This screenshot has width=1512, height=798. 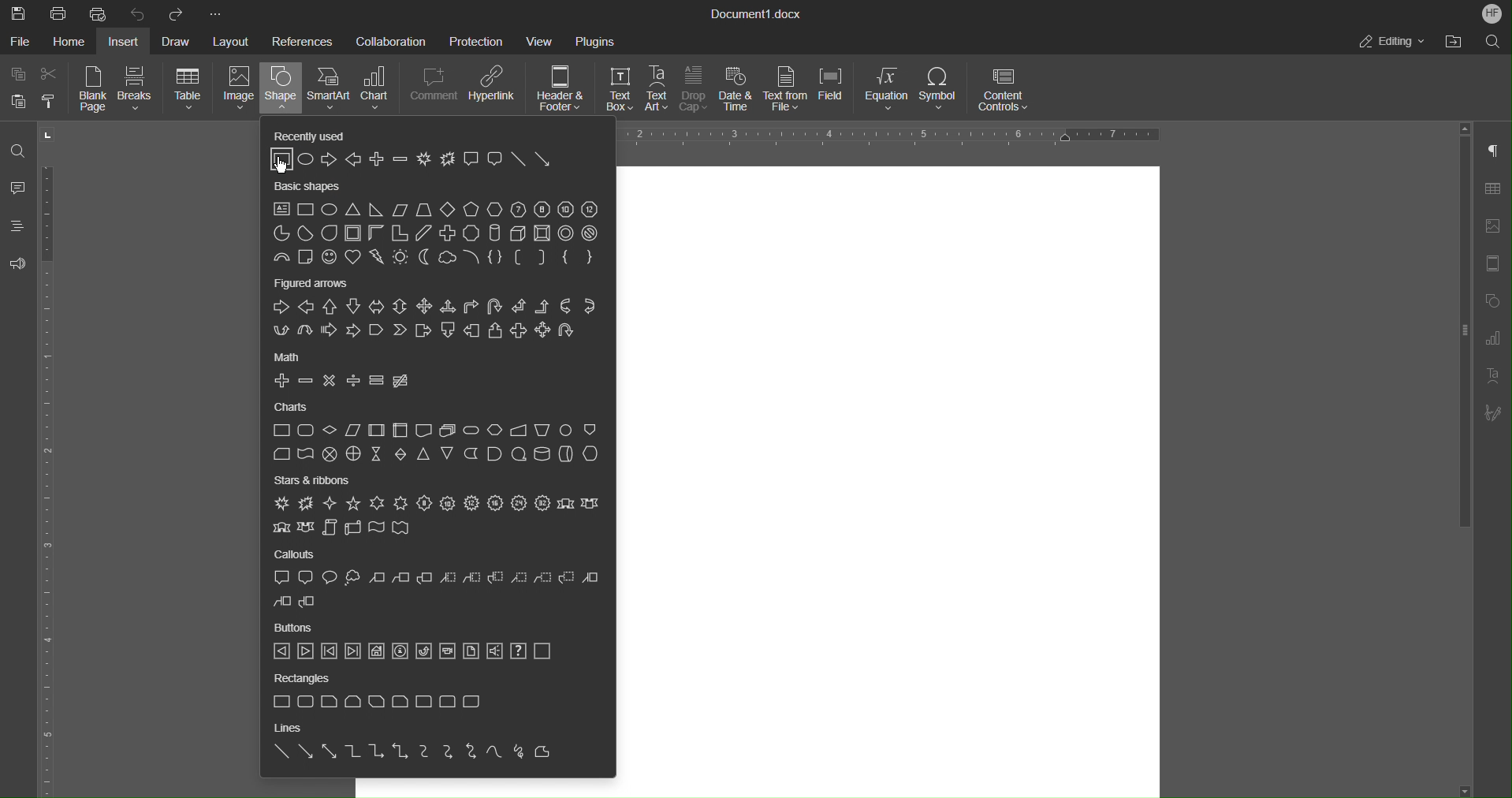 I want to click on curosr, so click(x=285, y=164).